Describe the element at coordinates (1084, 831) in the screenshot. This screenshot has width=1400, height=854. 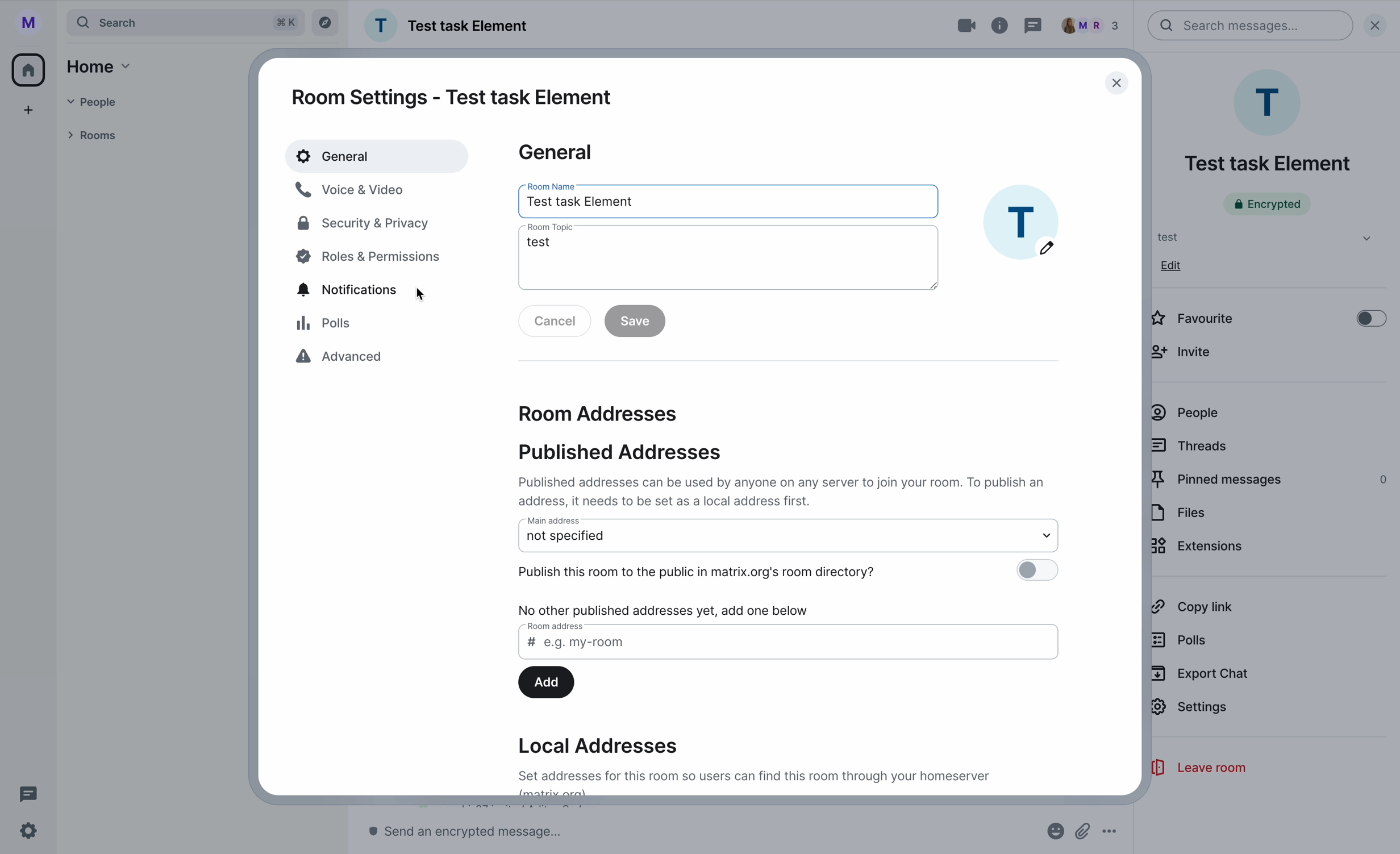
I see `attach file` at that location.